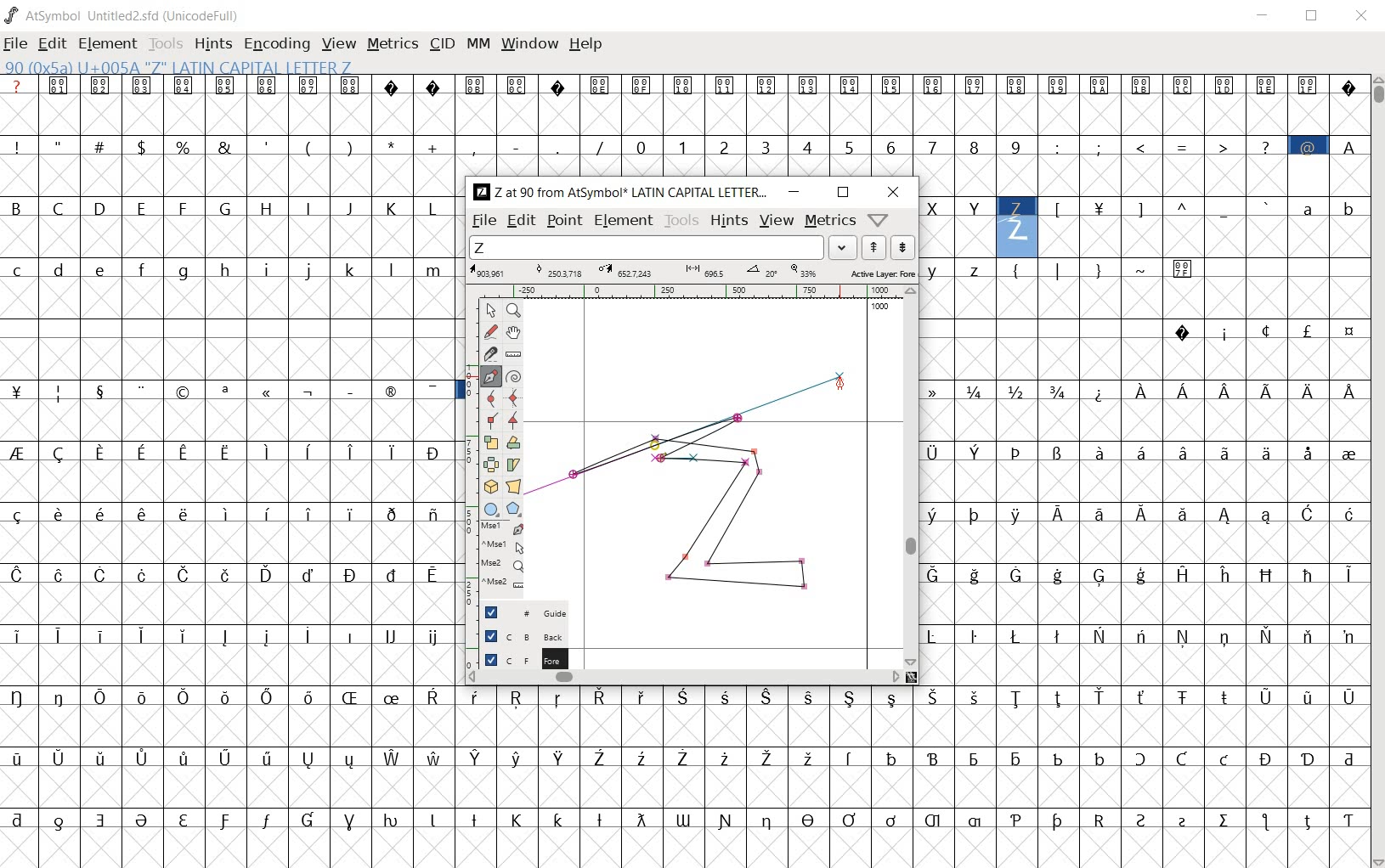  Describe the element at coordinates (692, 272) in the screenshot. I see `Active Layer: Fore` at that location.